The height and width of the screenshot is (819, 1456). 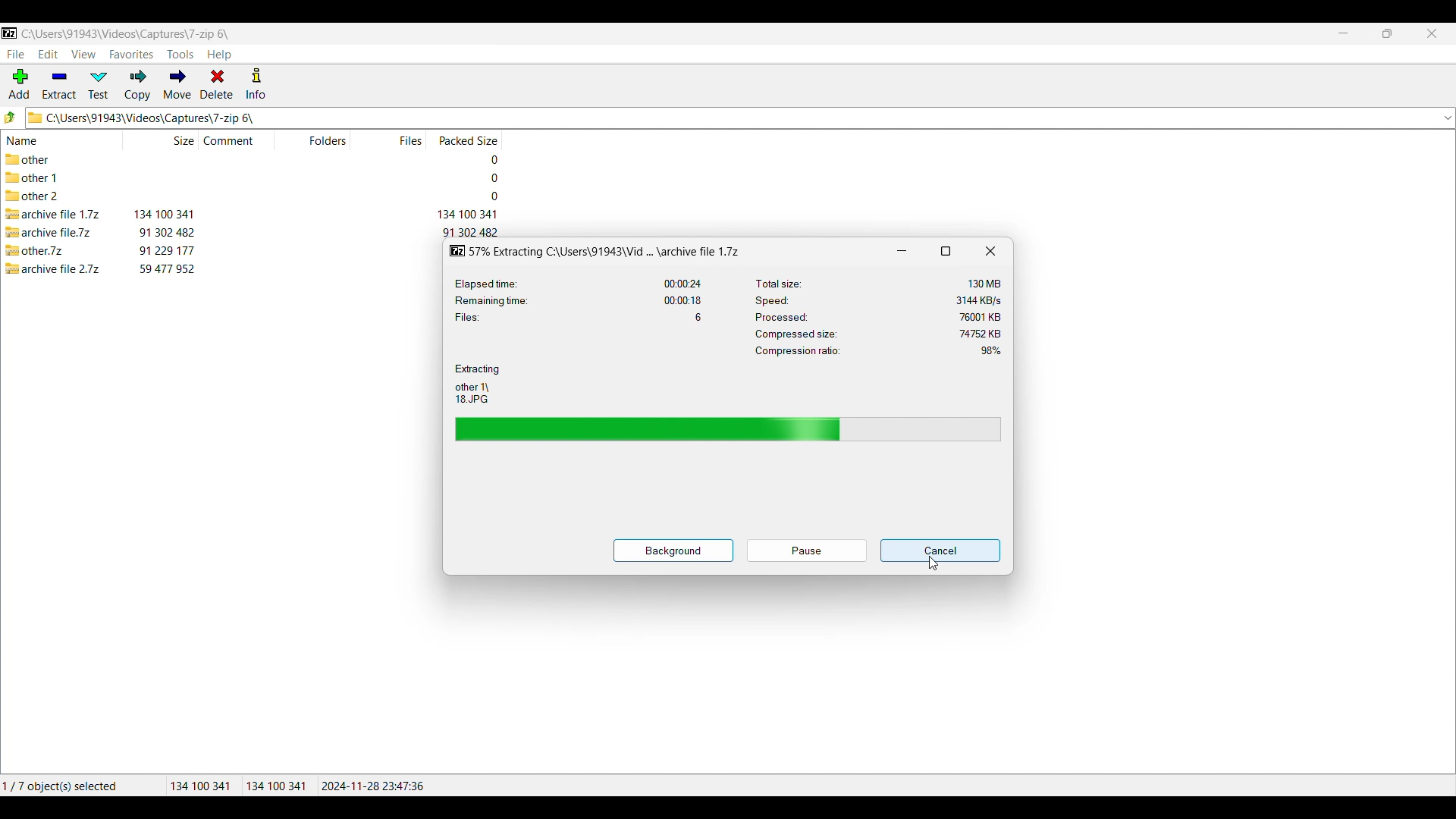 I want to click on Minimize, so click(x=1344, y=33).